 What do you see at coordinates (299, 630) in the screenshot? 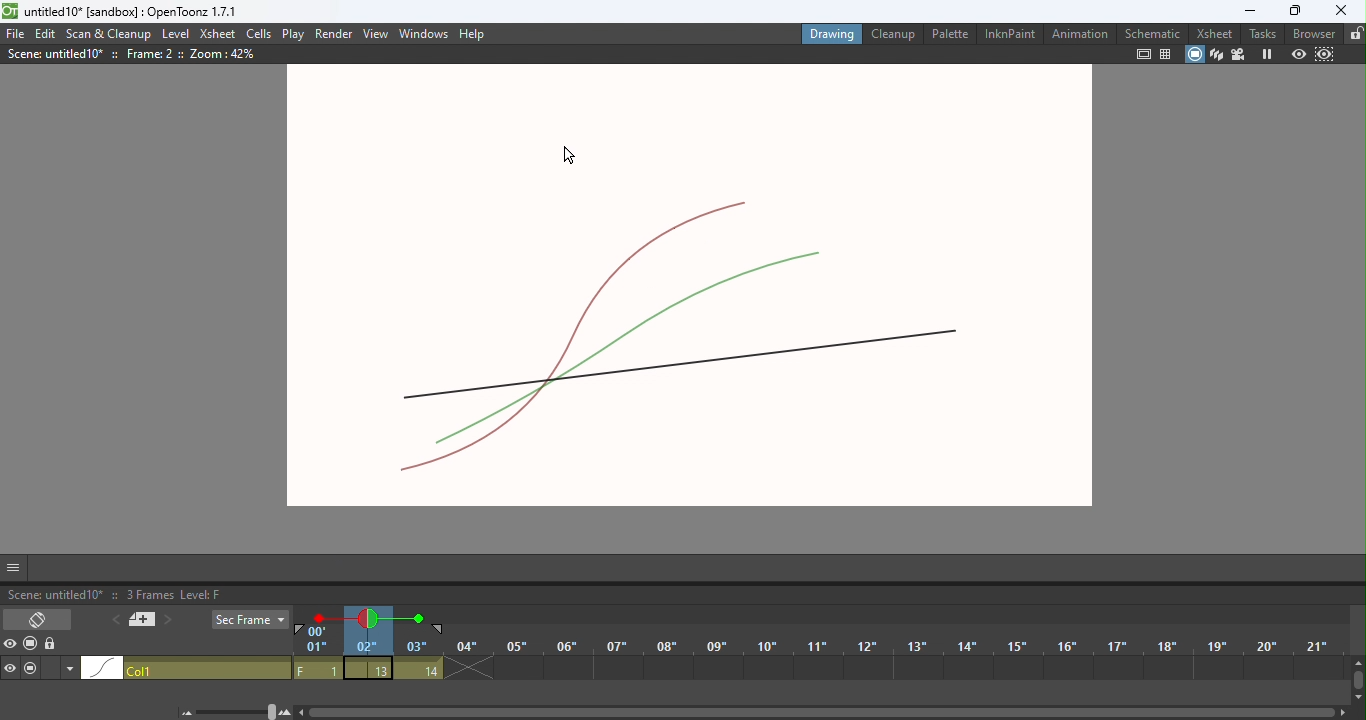
I see `Playback start marker` at bounding box center [299, 630].